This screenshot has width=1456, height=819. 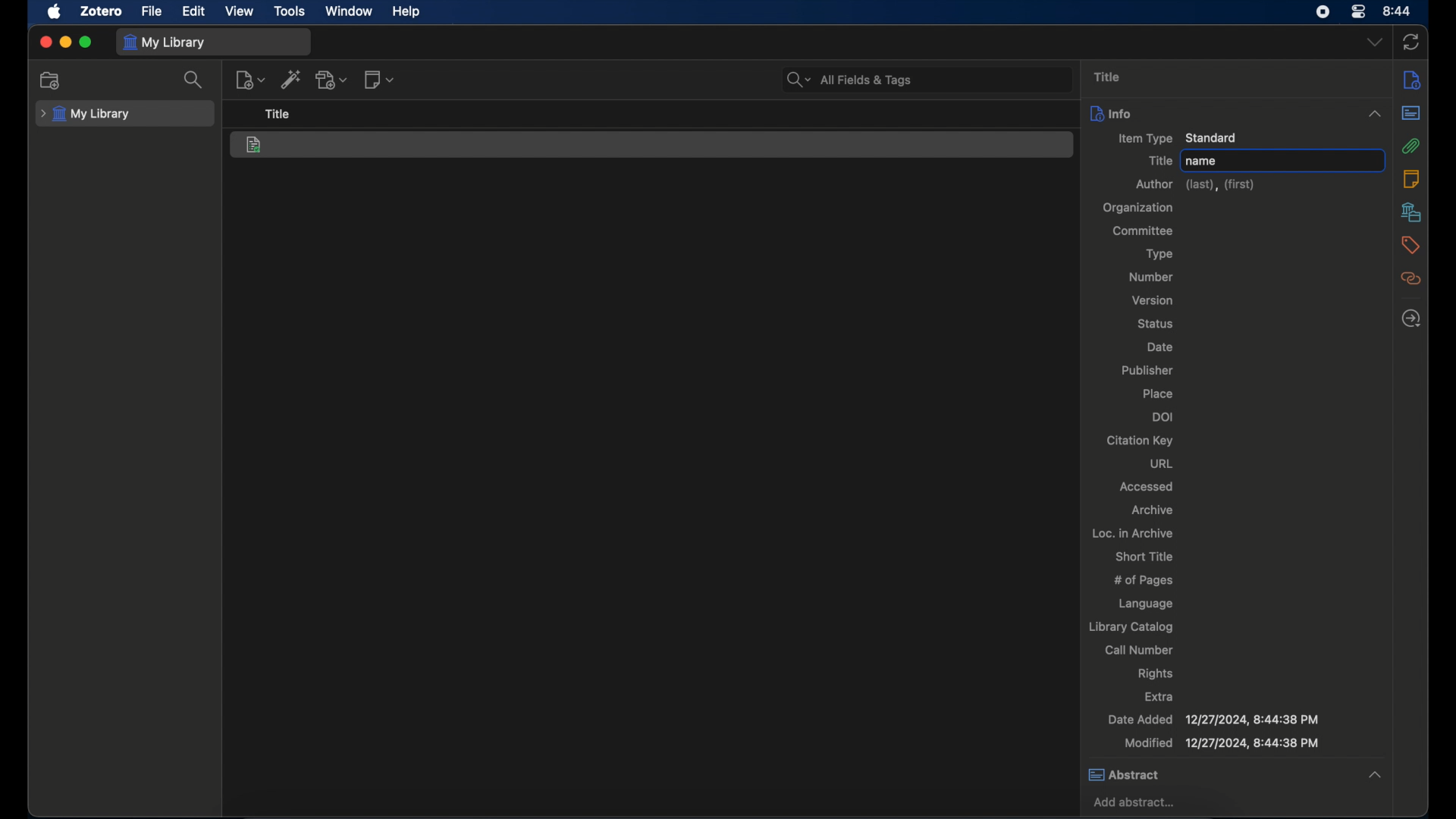 What do you see at coordinates (408, 12) in the screenshot?
I see `help` at bounding box center [408, 12].